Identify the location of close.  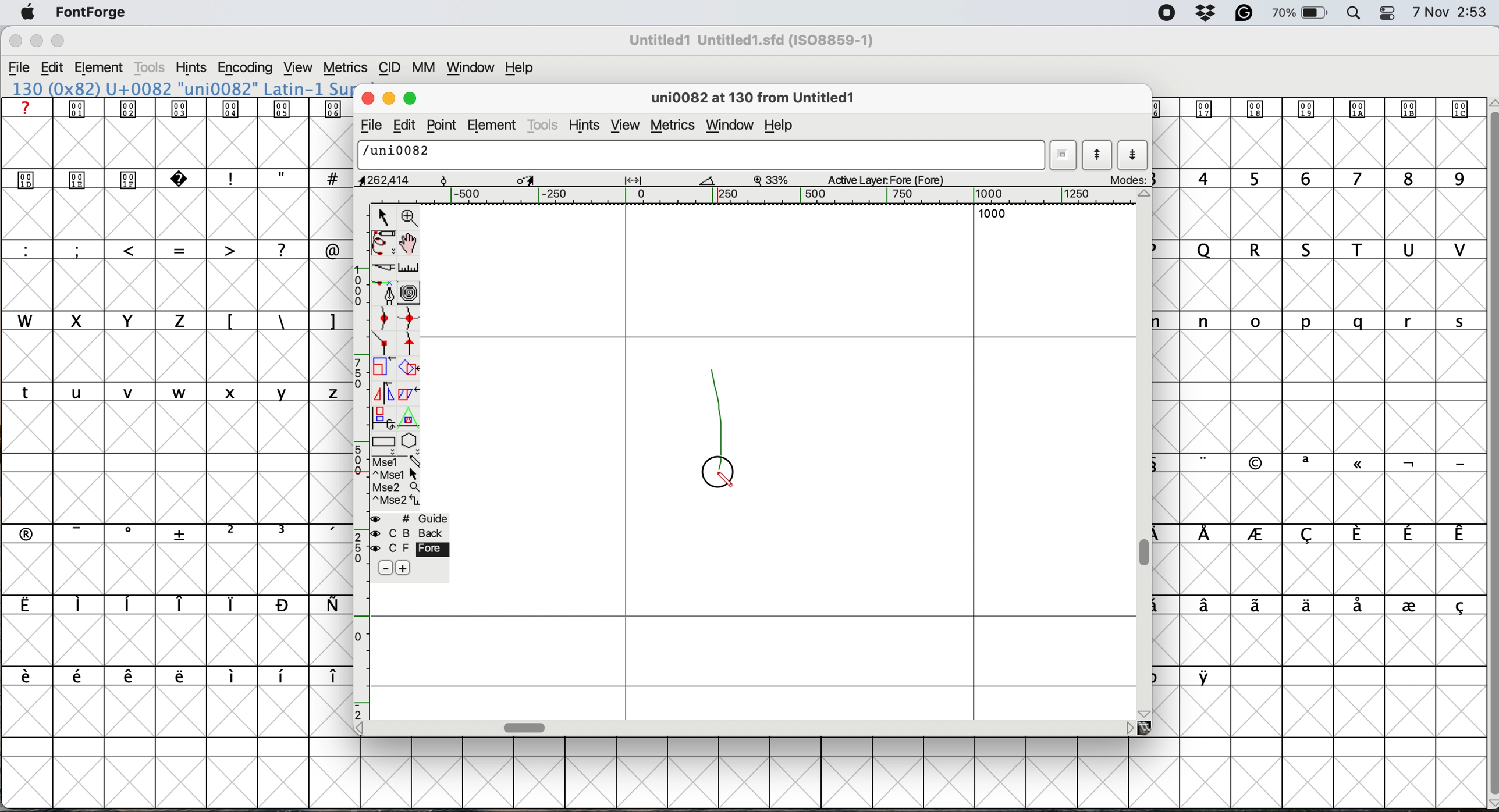
(15, 42).